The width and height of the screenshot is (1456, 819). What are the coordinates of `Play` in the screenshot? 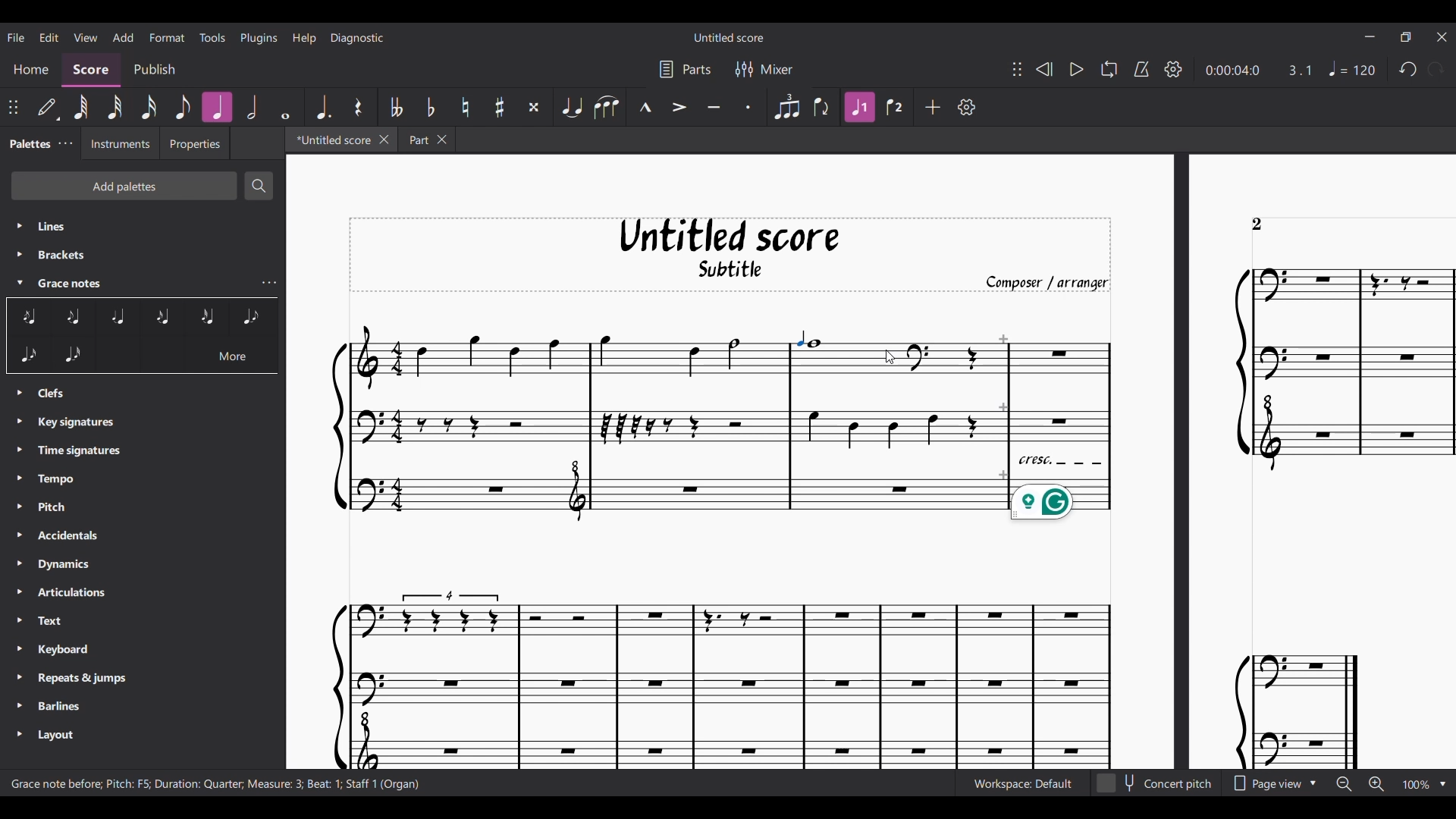 It's located at (1077, 69).